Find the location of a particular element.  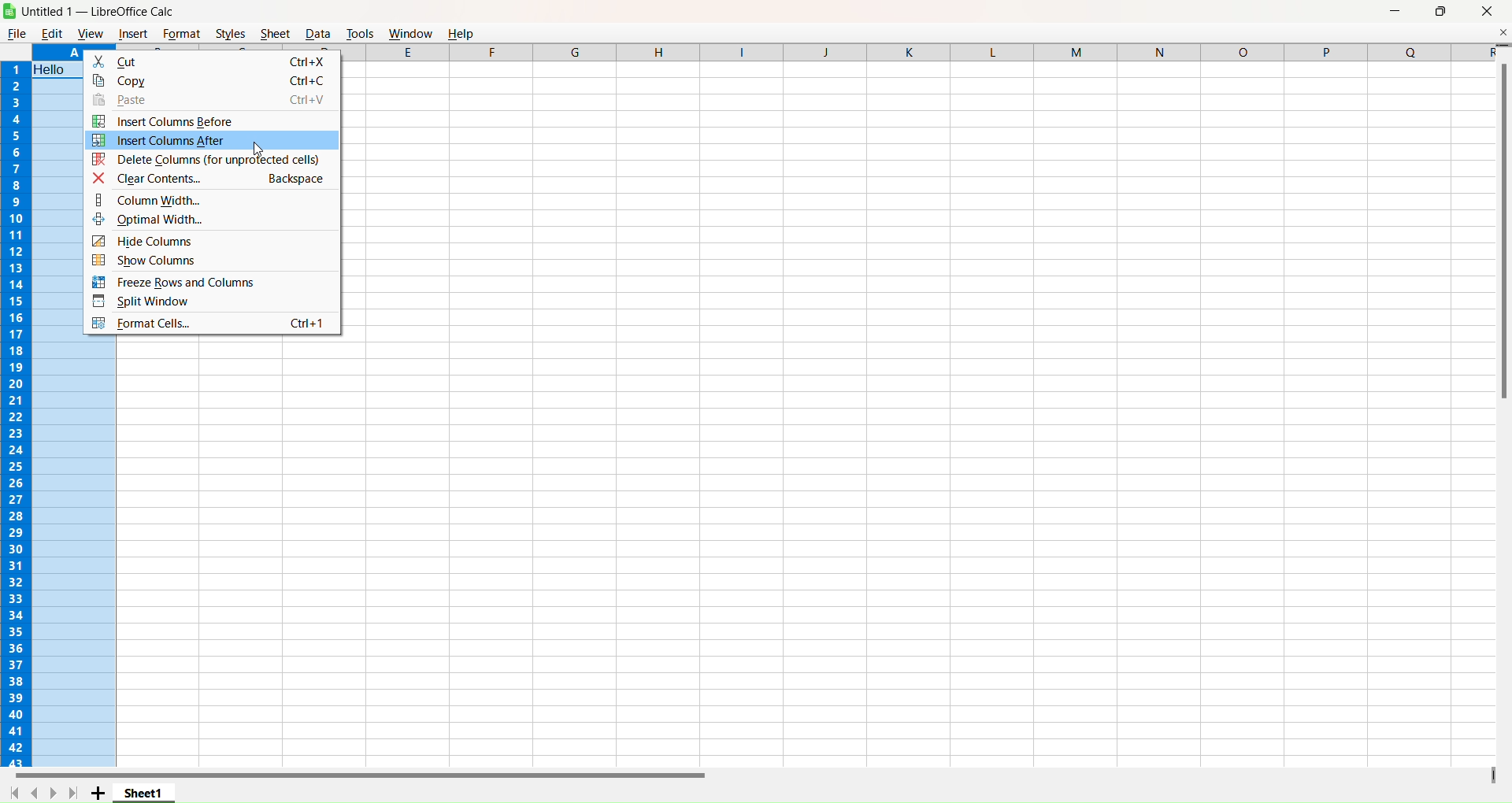

Maximize is located at coordinates (1442, 12).